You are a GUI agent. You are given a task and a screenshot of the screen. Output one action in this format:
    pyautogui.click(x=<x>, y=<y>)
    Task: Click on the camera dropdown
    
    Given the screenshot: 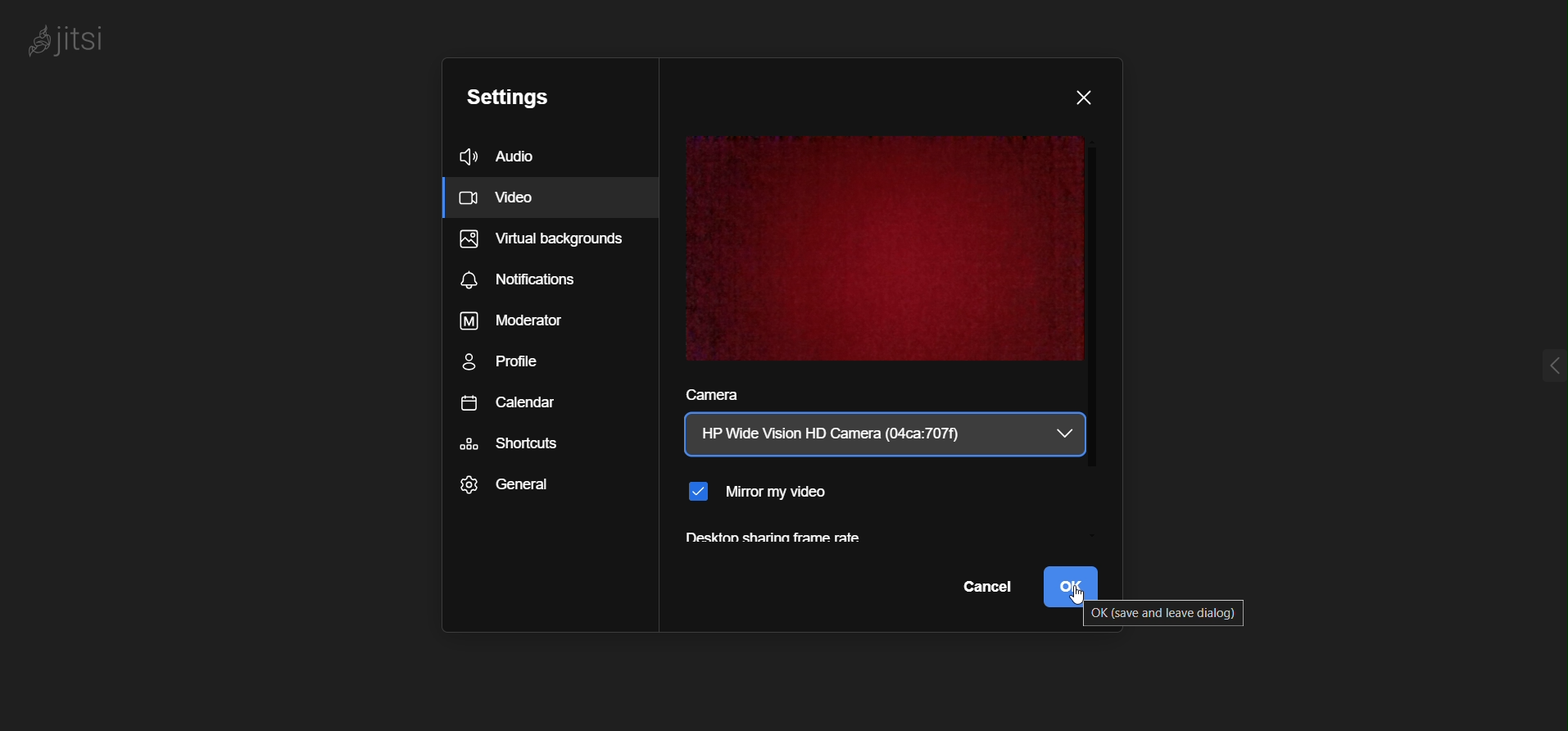 What is the action you would take?
    pyautogui.click(x=1072, y=434)
    